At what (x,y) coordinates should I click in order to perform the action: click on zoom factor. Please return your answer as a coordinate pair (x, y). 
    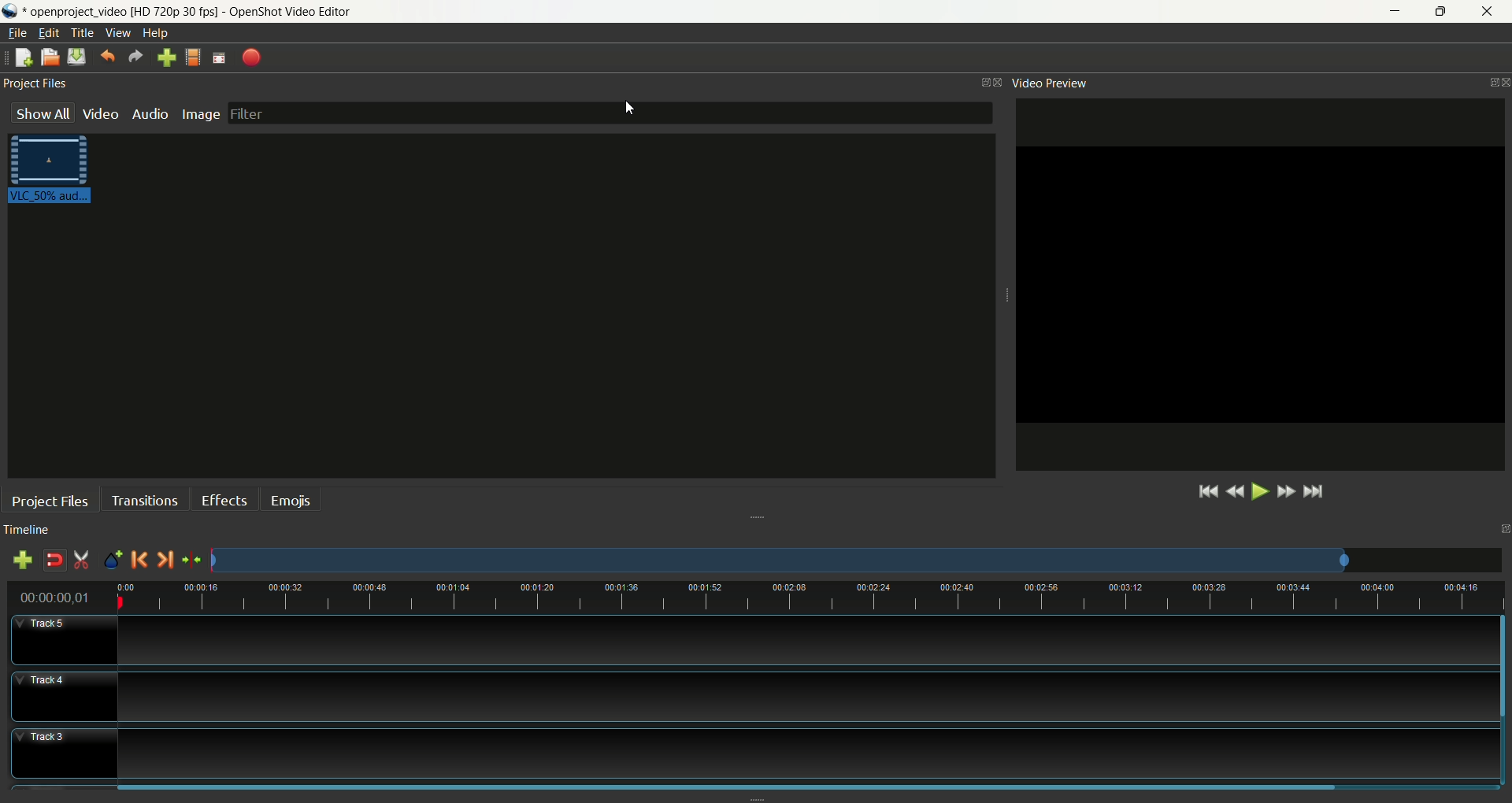
    Looking at the image, I should click on (857, 561).